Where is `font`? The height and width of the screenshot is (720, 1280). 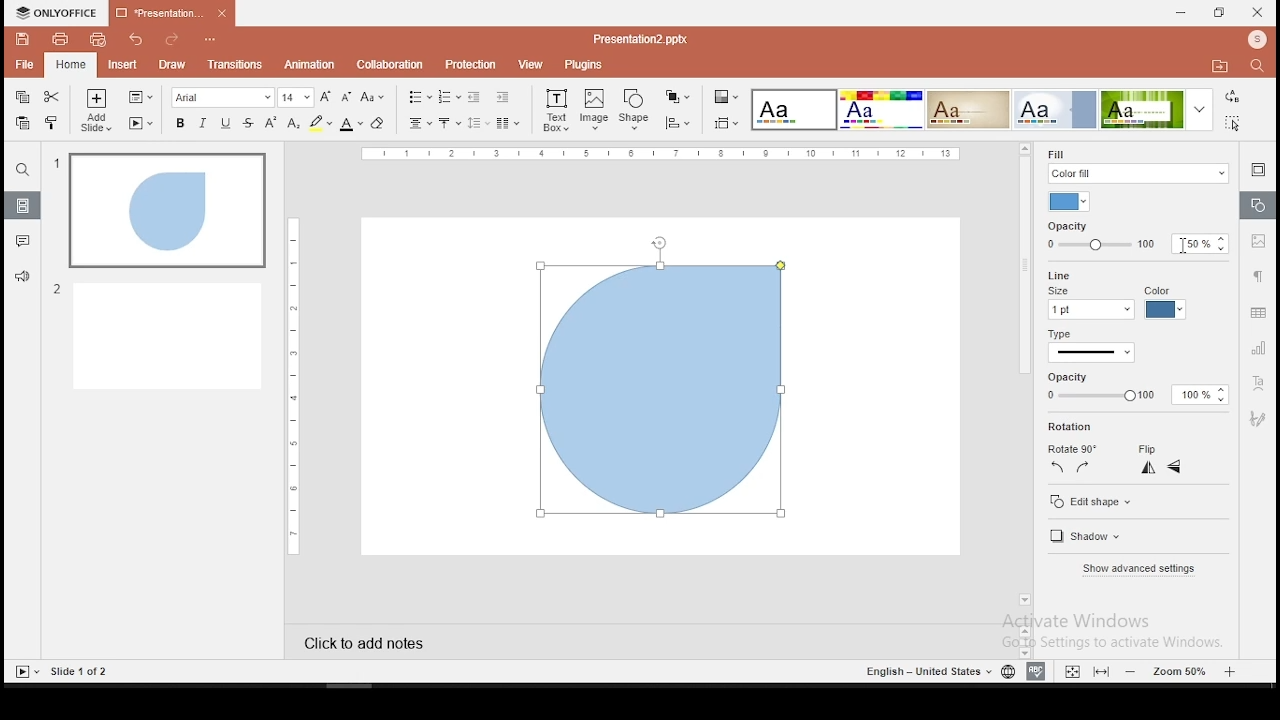
font is located at coordinates (223, 98).